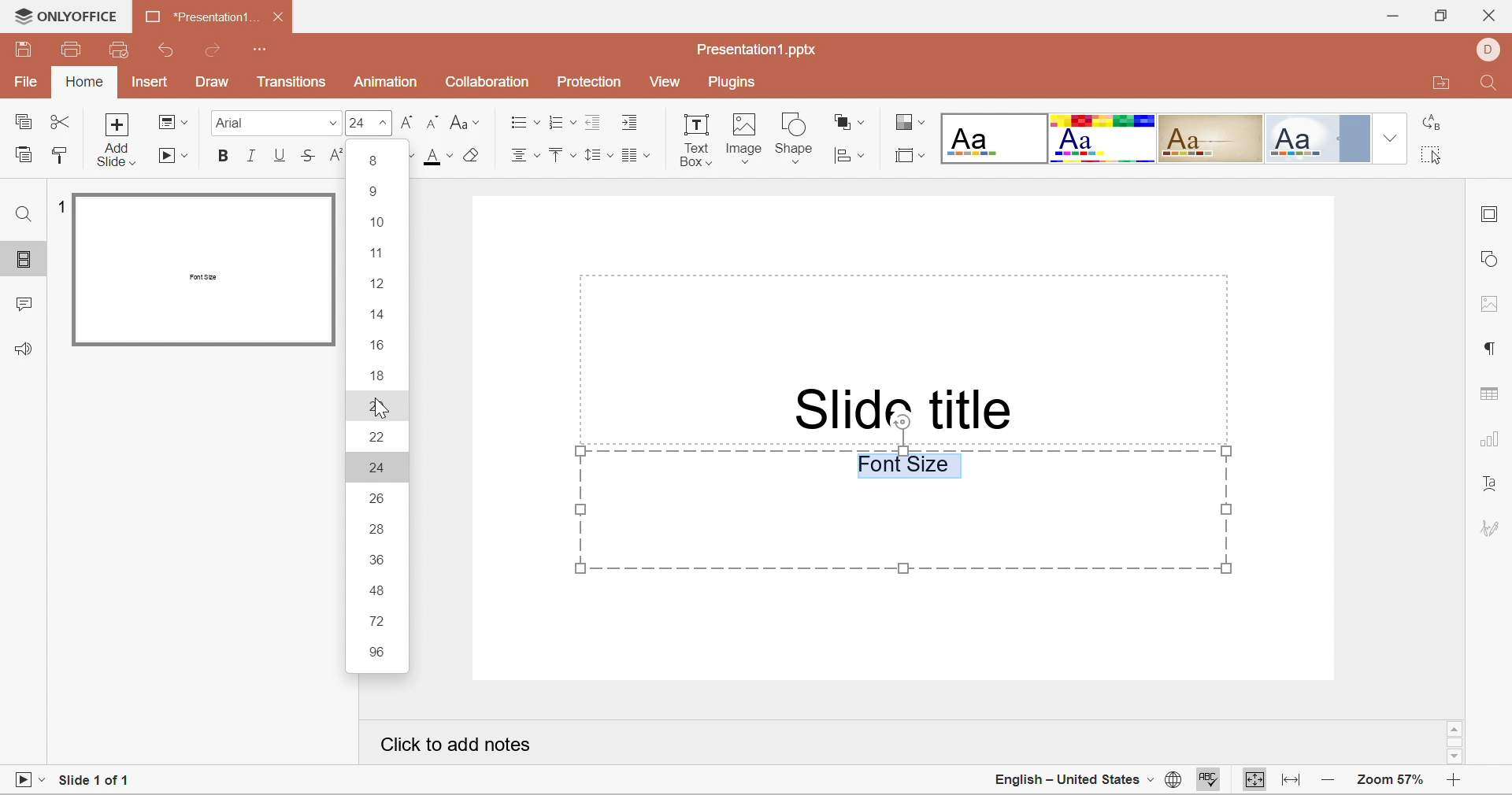 This screenshot has width=1512, height=795. What do you see at coordinates (26, 261) in the screenshot?
I see `Slides` at bounding box center [26, 261].